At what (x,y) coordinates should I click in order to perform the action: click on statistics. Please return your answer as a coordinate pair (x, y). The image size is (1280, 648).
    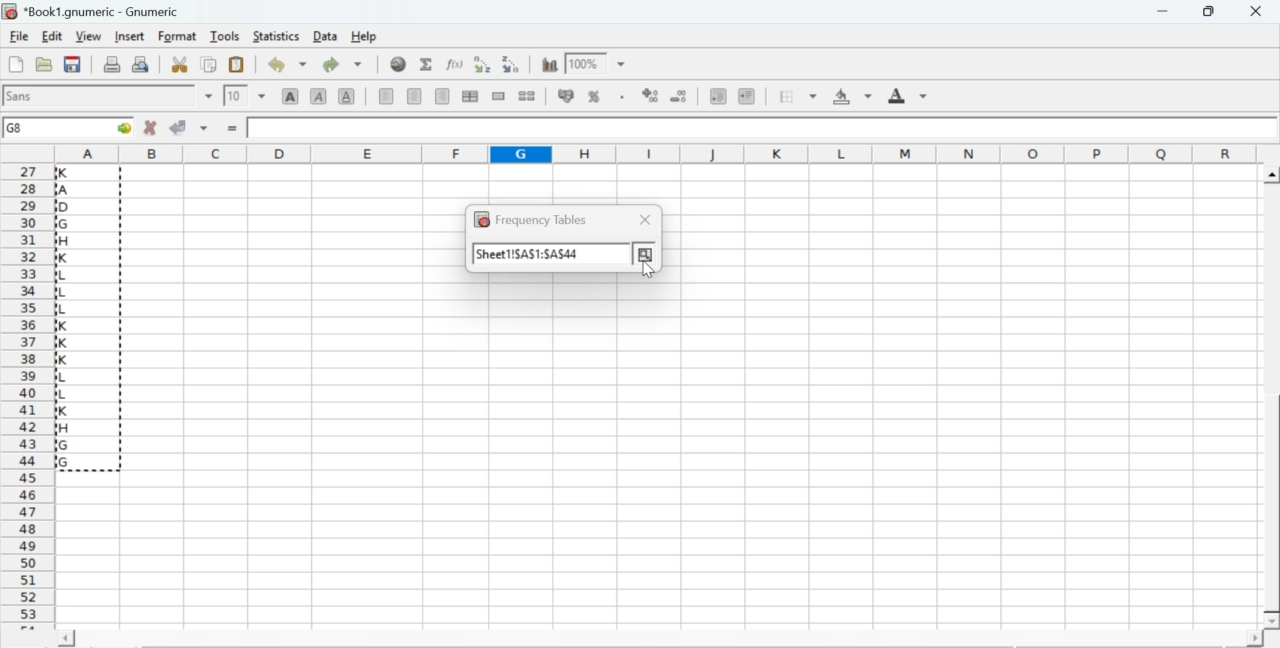
    Looking at the image, I should click on (274, 36).